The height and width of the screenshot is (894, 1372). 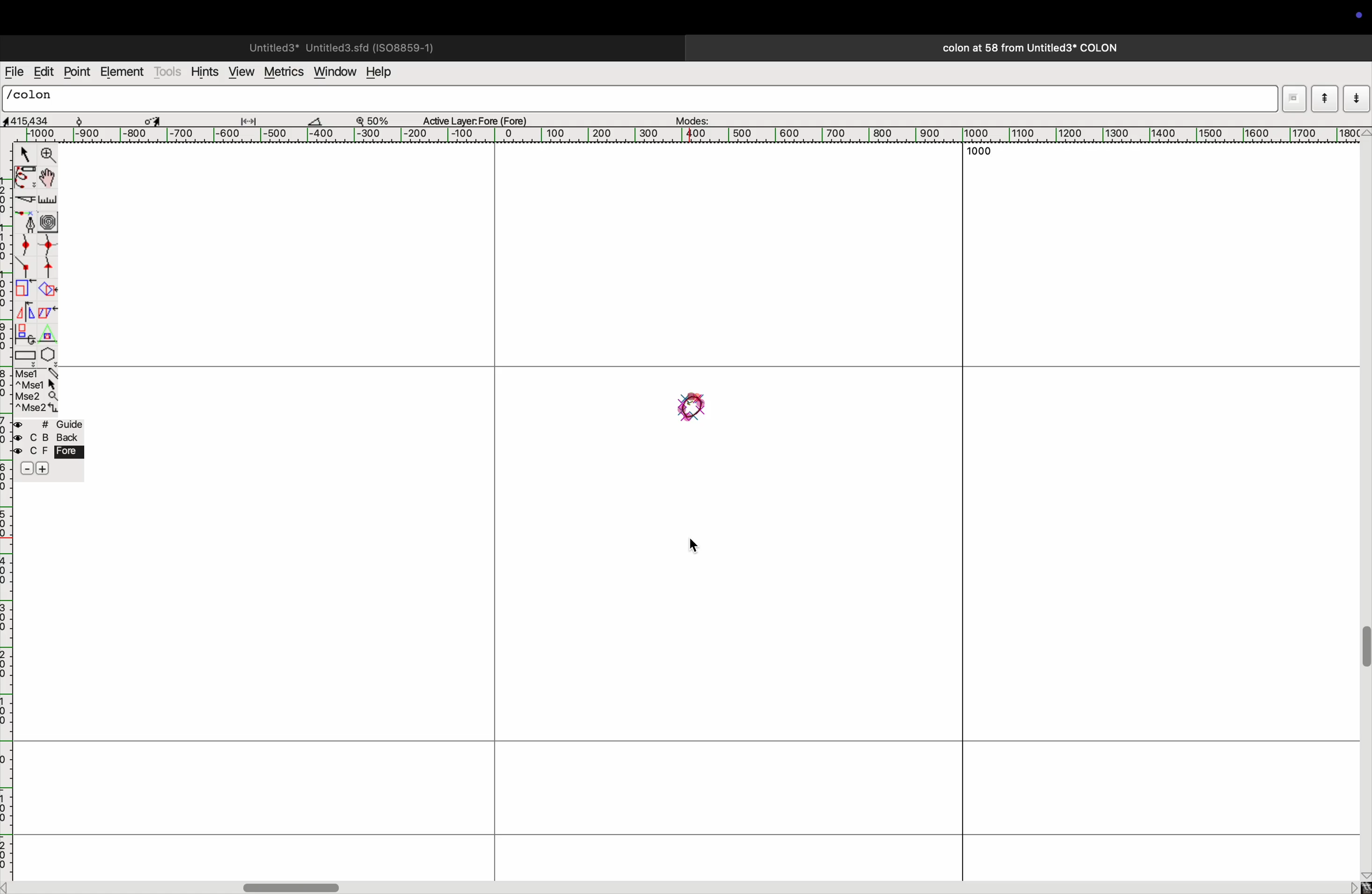 What do you see at coordinates (47, 290) in the screenshot?
I see `extract` at bounding box center [47, 290].